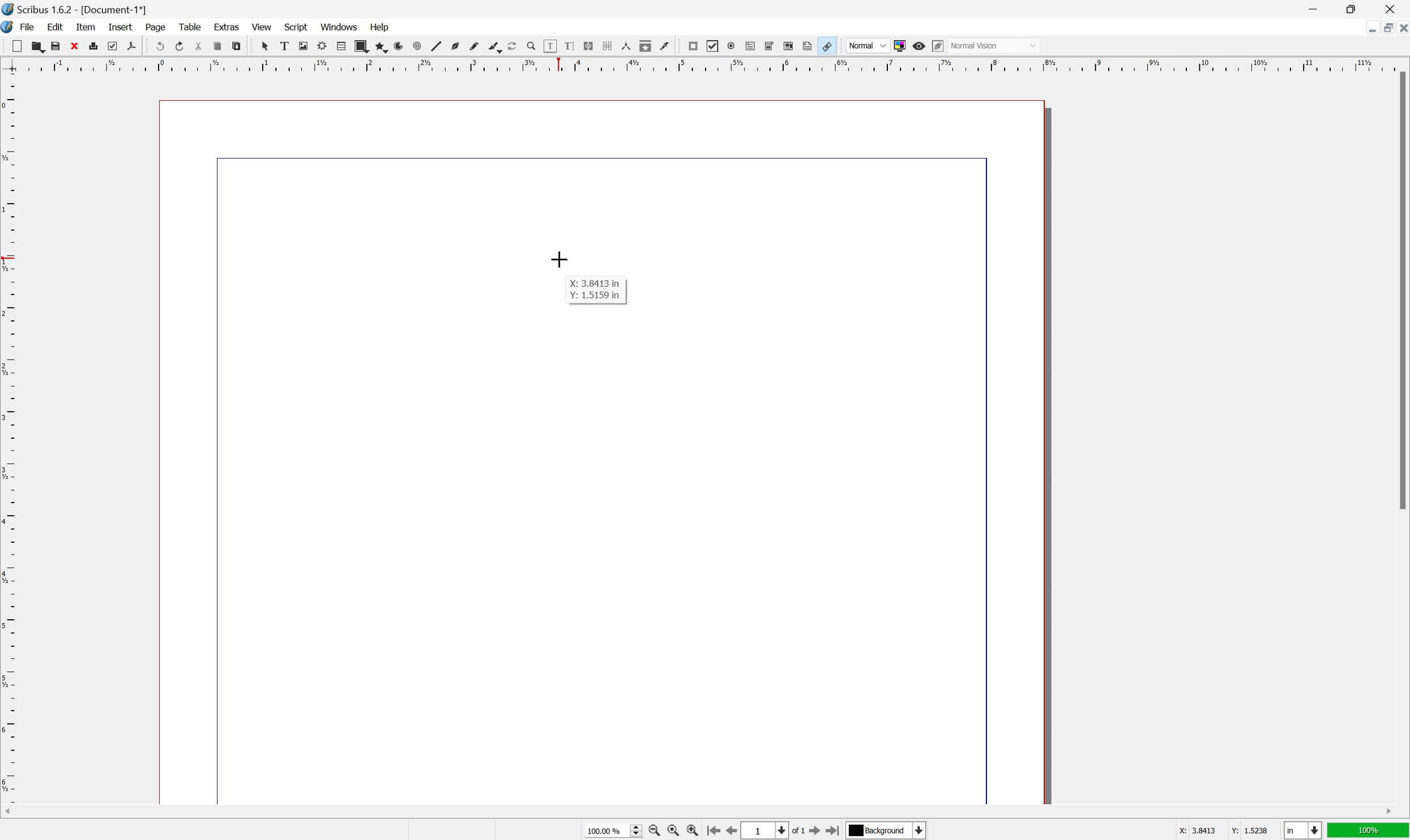 Image resolution: width=1410 pixels, height=840 pixels. What do you see at coordinates (817, 832) in the screenshot?
I see `go to next page` at bounding box center [817, 832].